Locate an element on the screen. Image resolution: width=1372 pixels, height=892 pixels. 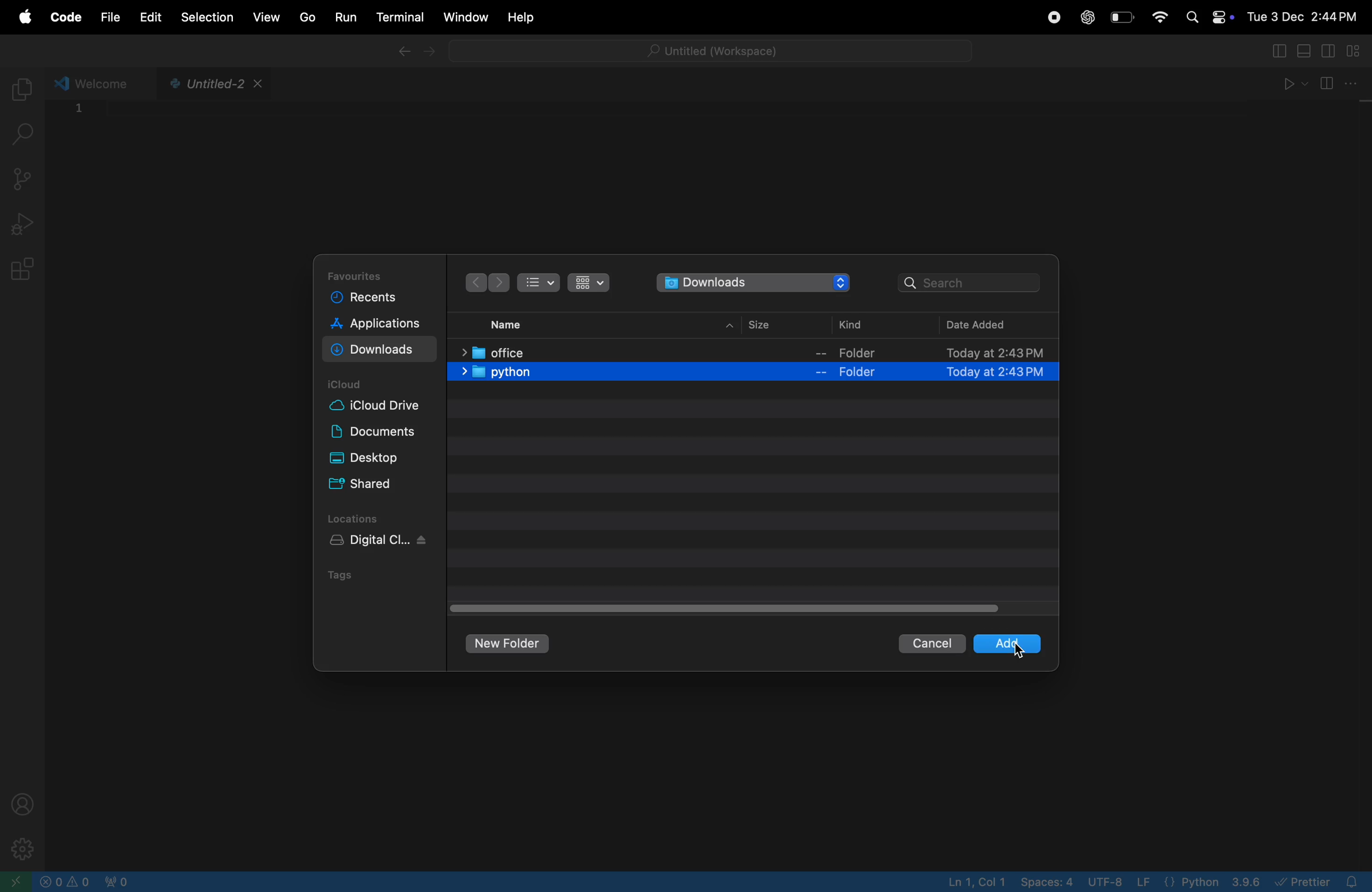
terminal is located at coordinates (397, 16).